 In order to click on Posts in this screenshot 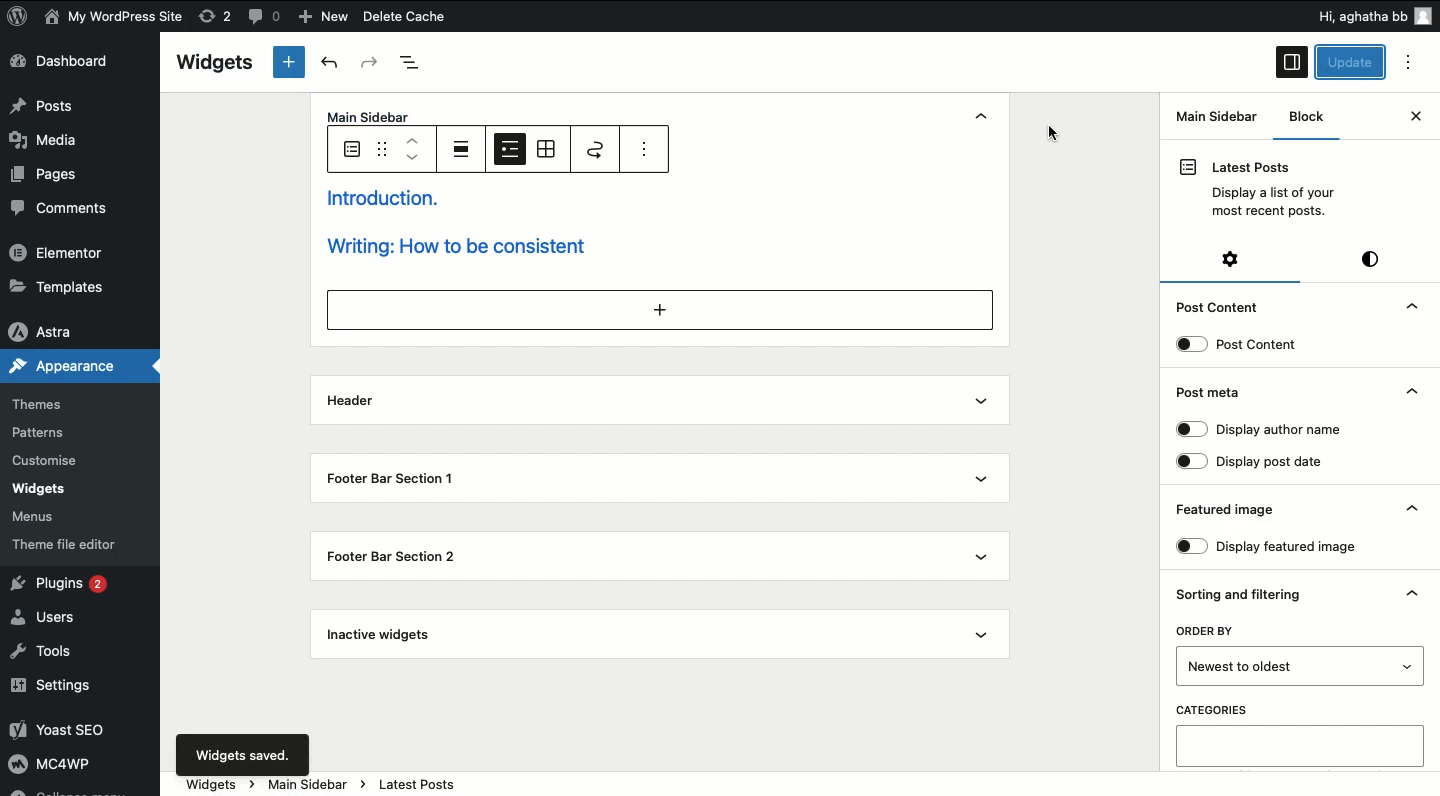, I will do `click(45, 106)`.